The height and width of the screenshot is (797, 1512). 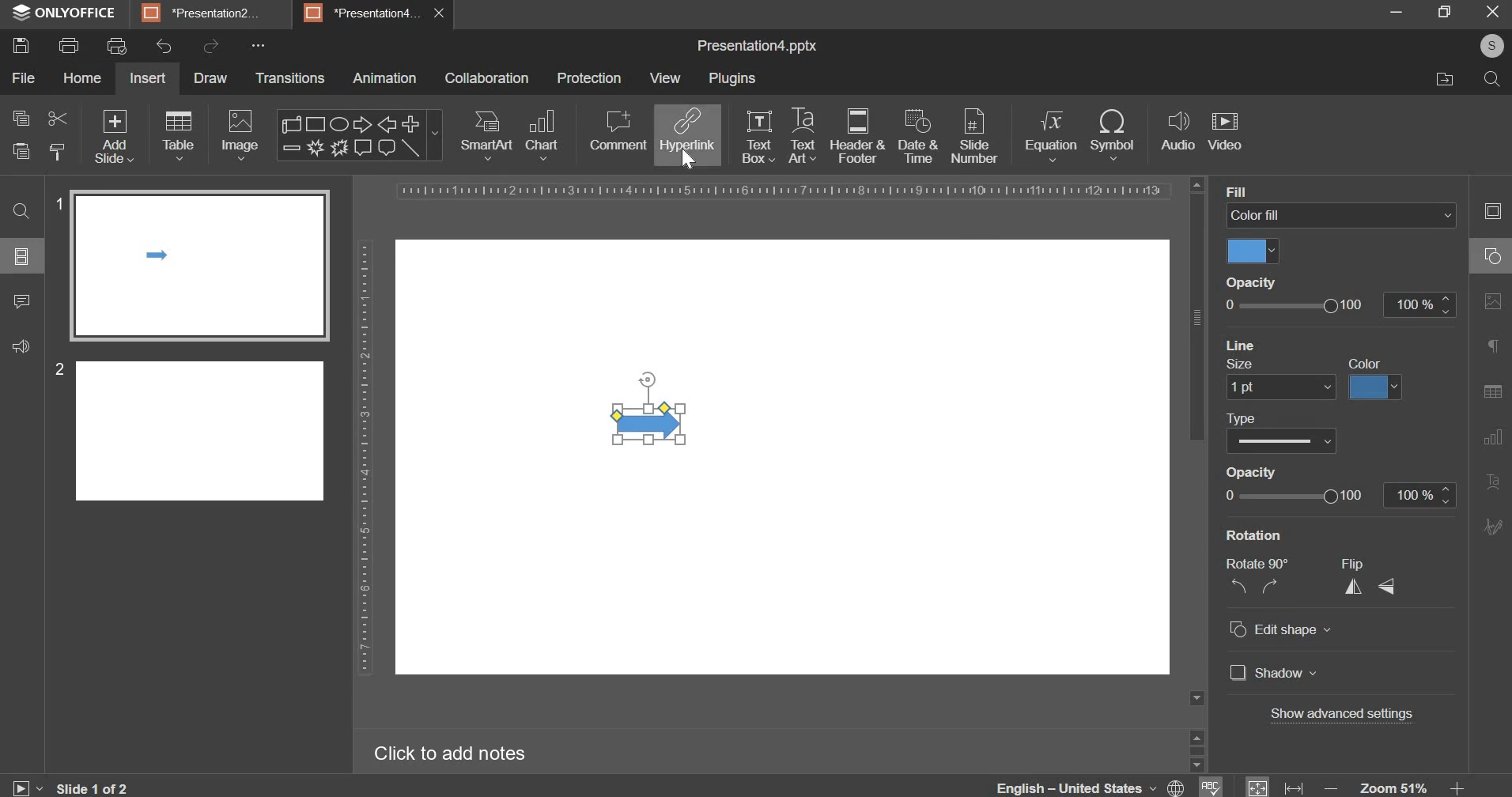 What do you see at coordinates (1253, 579) in the screenshot?
I see `Rotate 90°
NZ` at bounding box center [1253, 579].